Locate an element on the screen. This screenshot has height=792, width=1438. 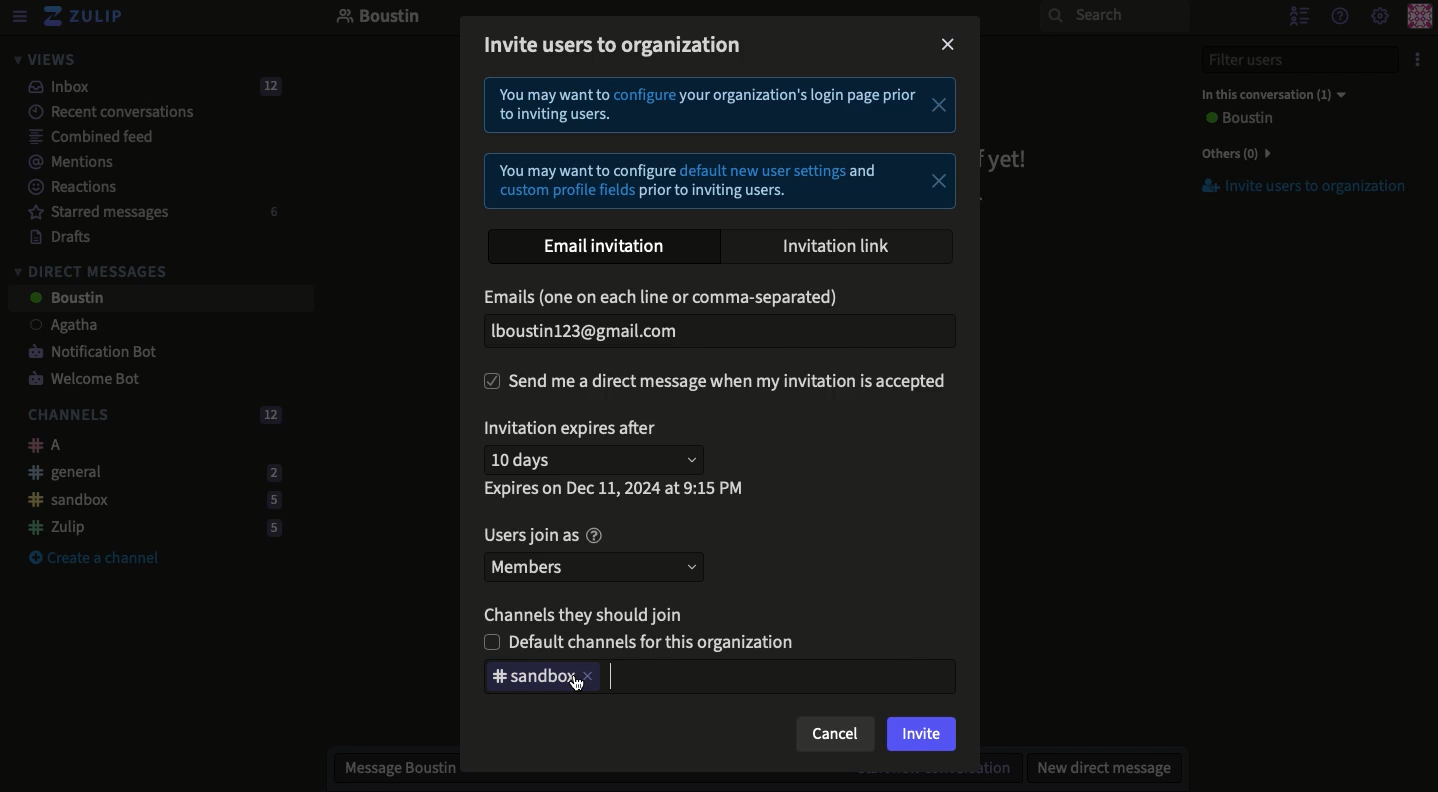
close is located at coordinates (591, 677).